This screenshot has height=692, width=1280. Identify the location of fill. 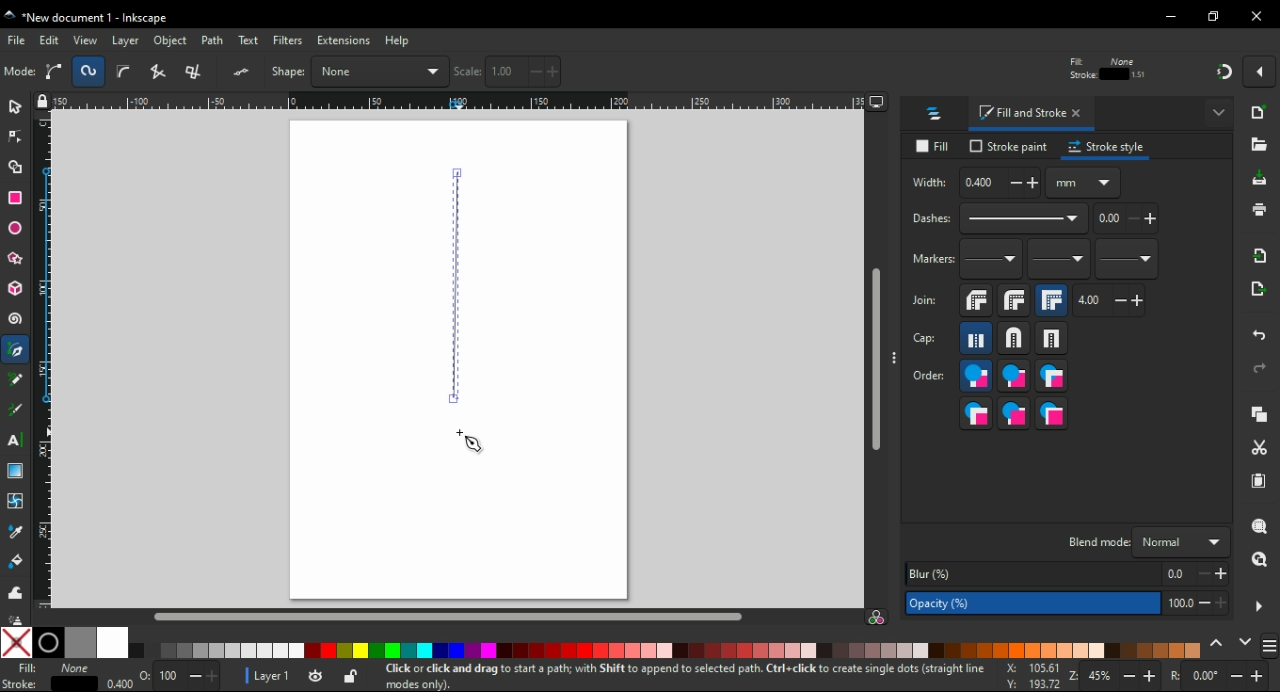
(936, 147).